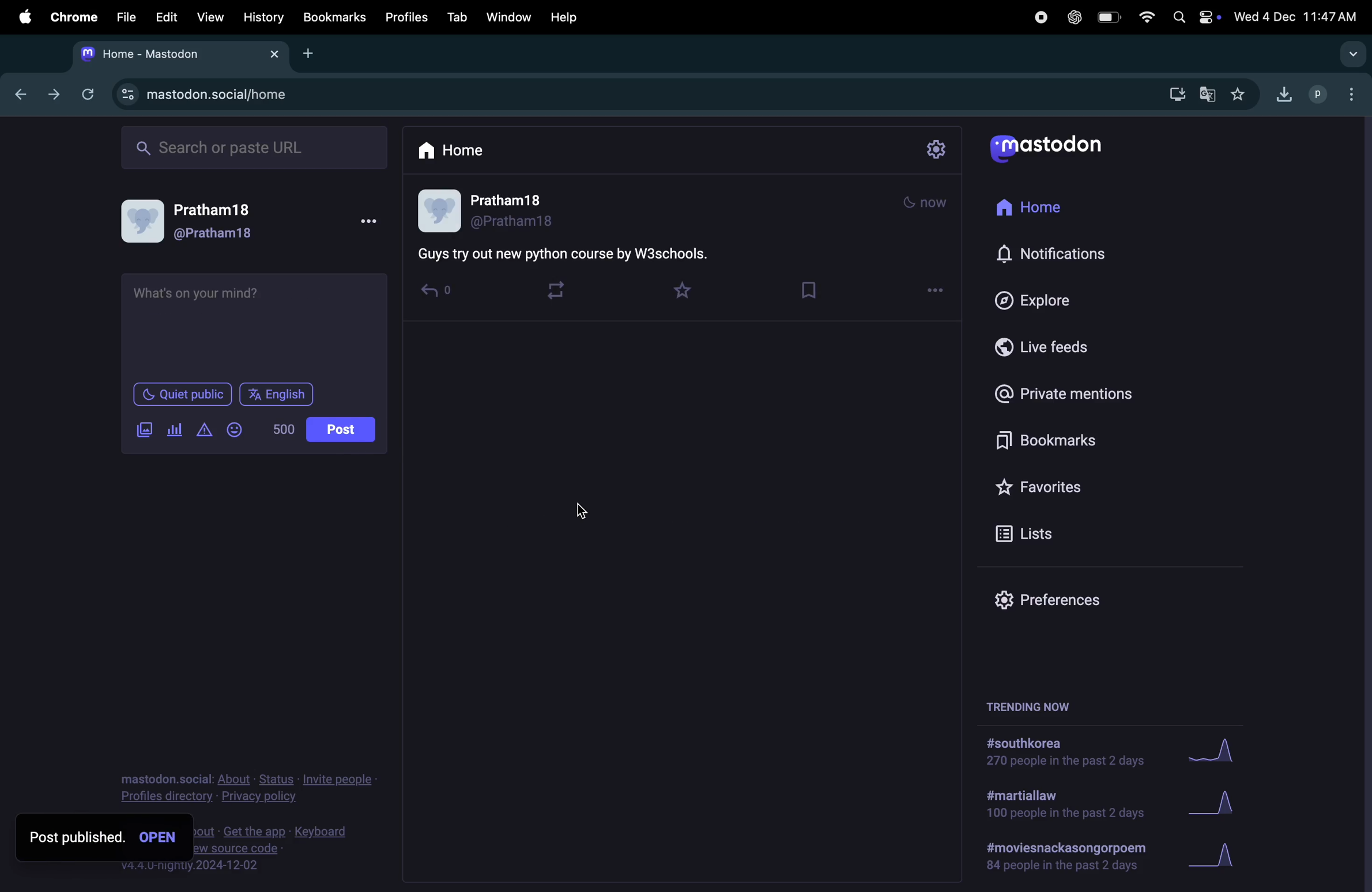 This screenshot has width=1372, height=892. I want to click on add, so click(312, 54).